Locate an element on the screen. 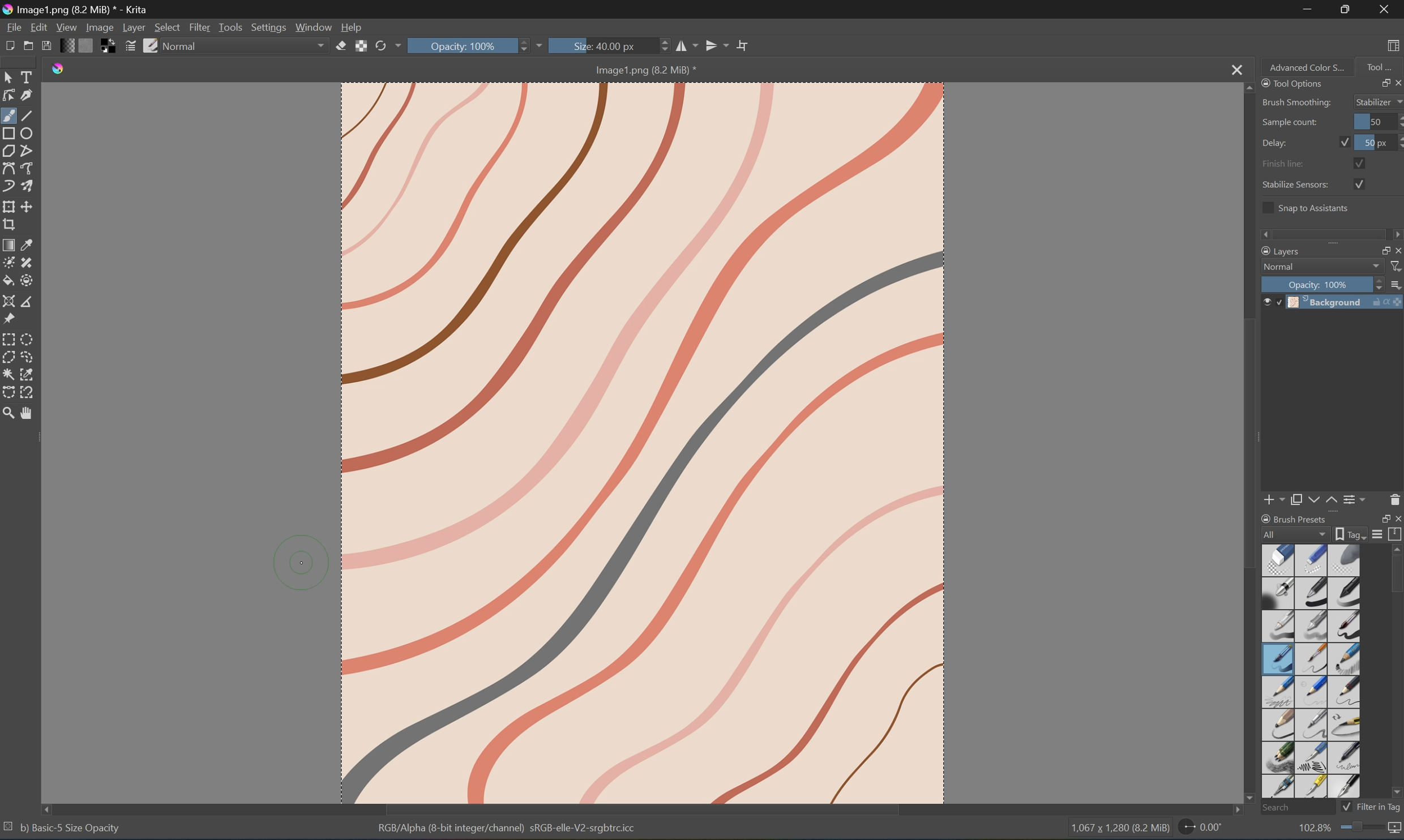  Freehand selection is located at coordinates (29, 357).